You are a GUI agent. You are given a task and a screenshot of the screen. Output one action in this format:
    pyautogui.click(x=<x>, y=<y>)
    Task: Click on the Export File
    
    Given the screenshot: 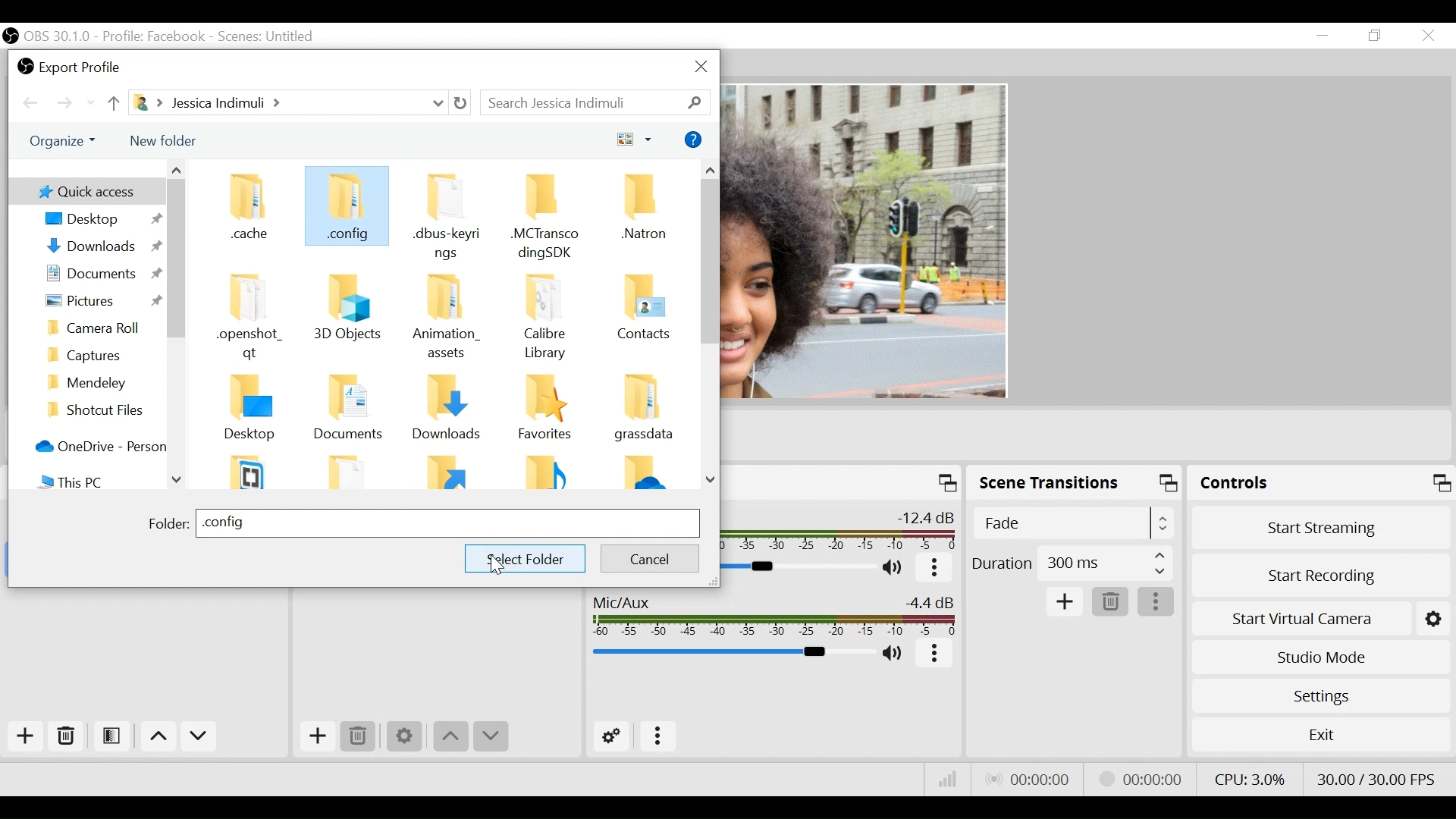 What is the action you would take?
    pyautogui.click(x=71, y=65)
    